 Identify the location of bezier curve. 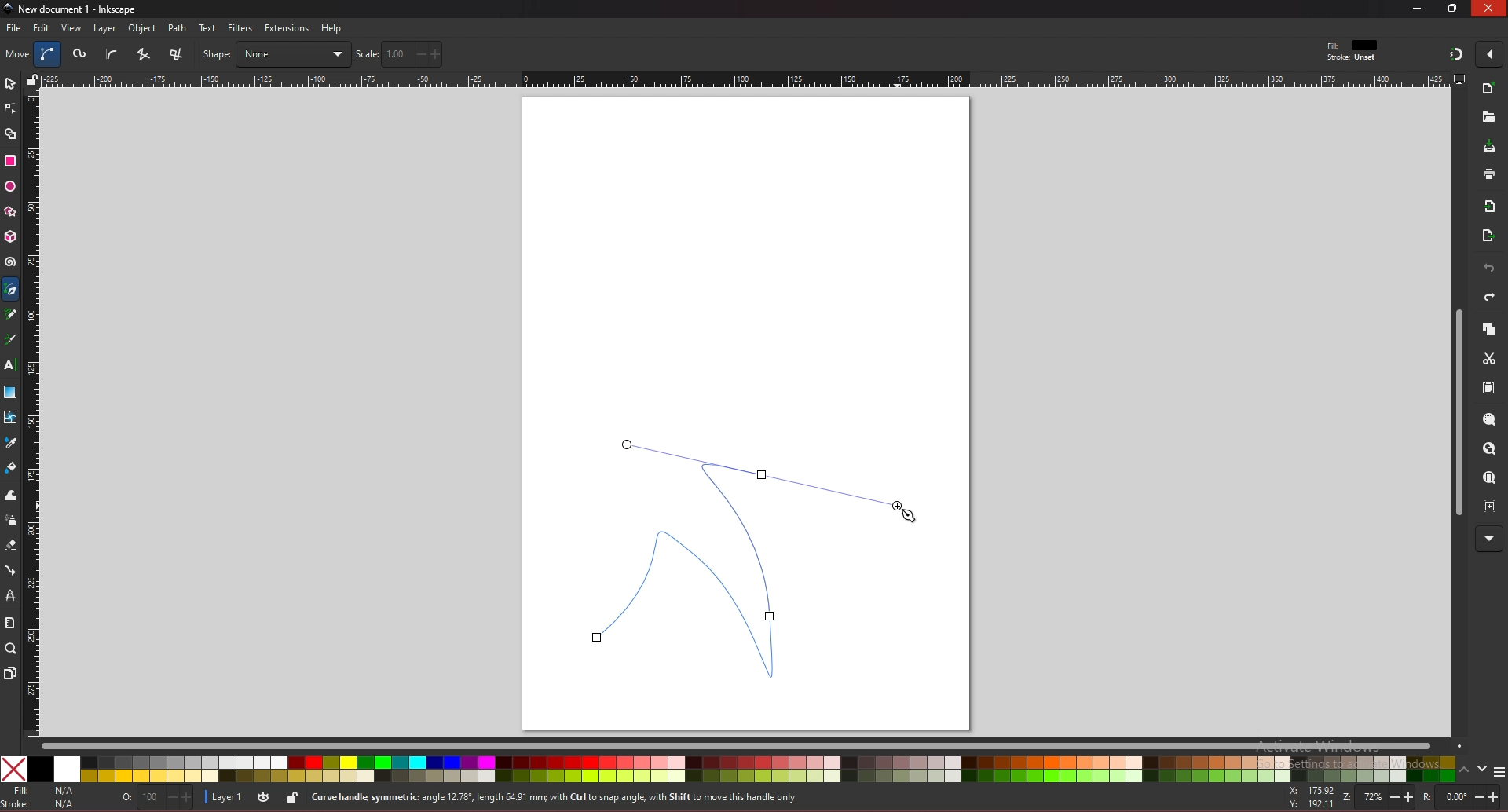
(49, 54).